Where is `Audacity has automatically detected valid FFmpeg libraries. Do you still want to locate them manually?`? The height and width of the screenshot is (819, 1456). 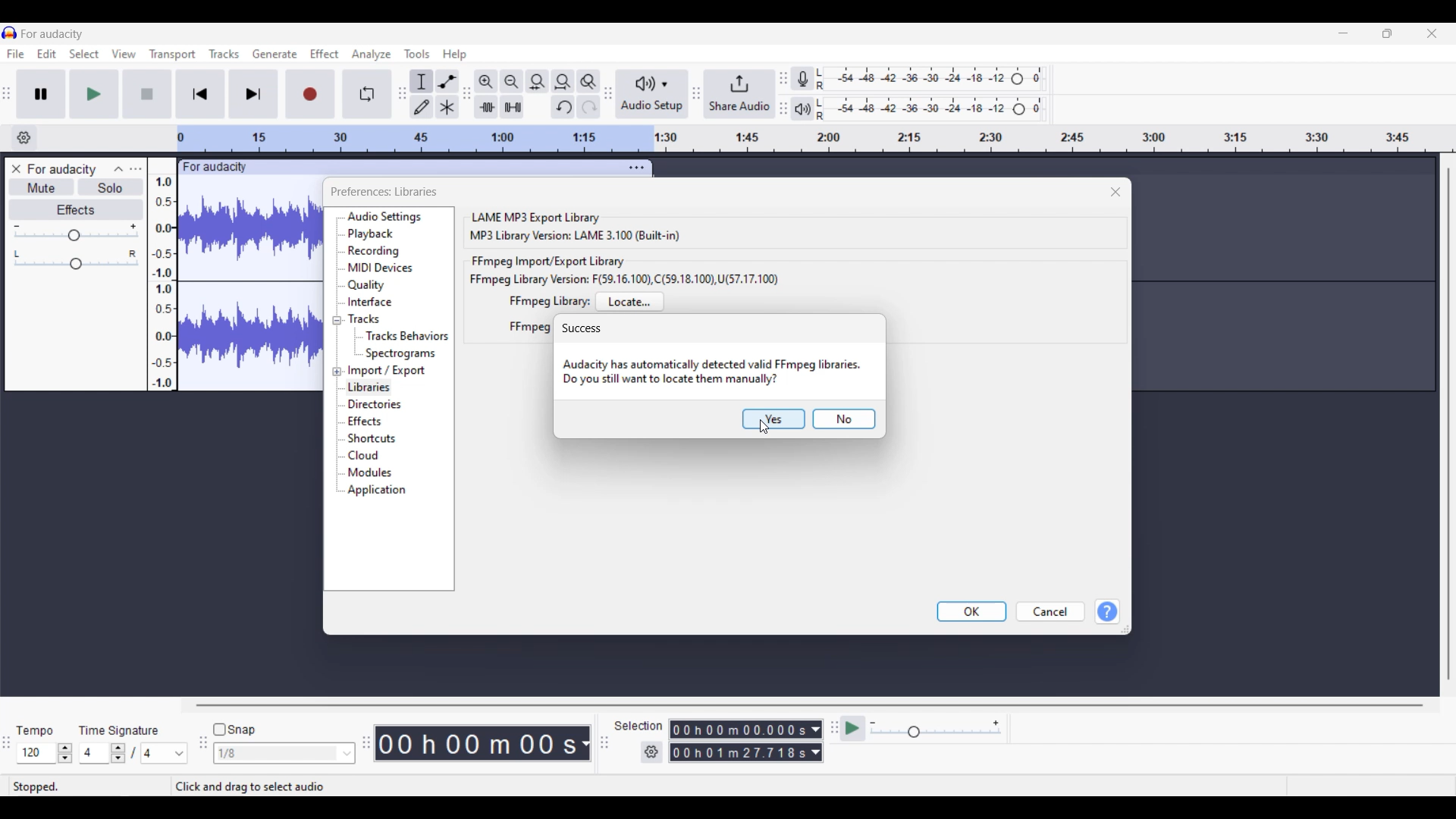 Audacity has automatically detected valid FFmpeg libraries. Do you still want to locate them manually? is located at coordinates (712, 373).